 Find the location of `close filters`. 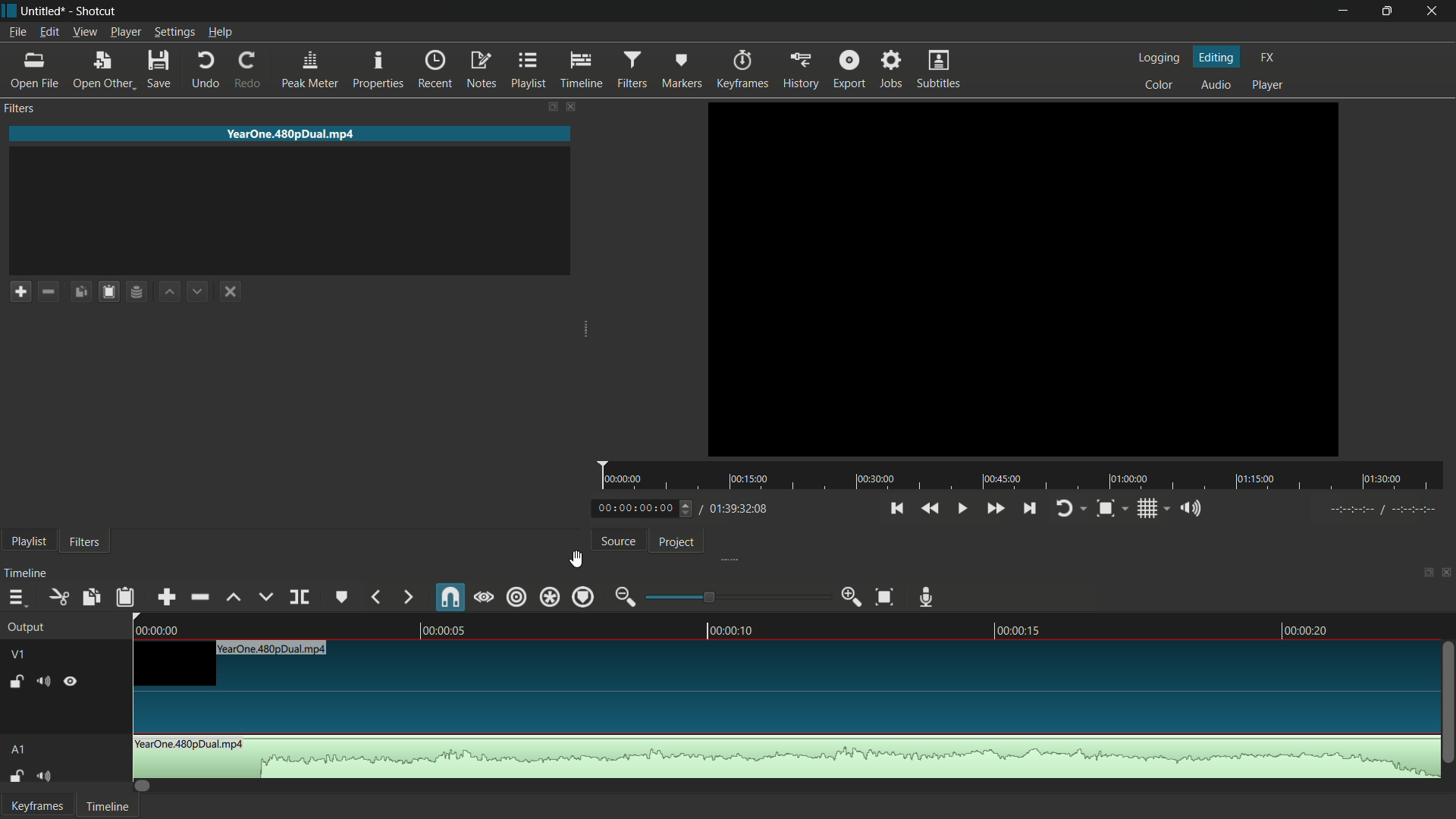

close filters is located at coordinates (573, 106).